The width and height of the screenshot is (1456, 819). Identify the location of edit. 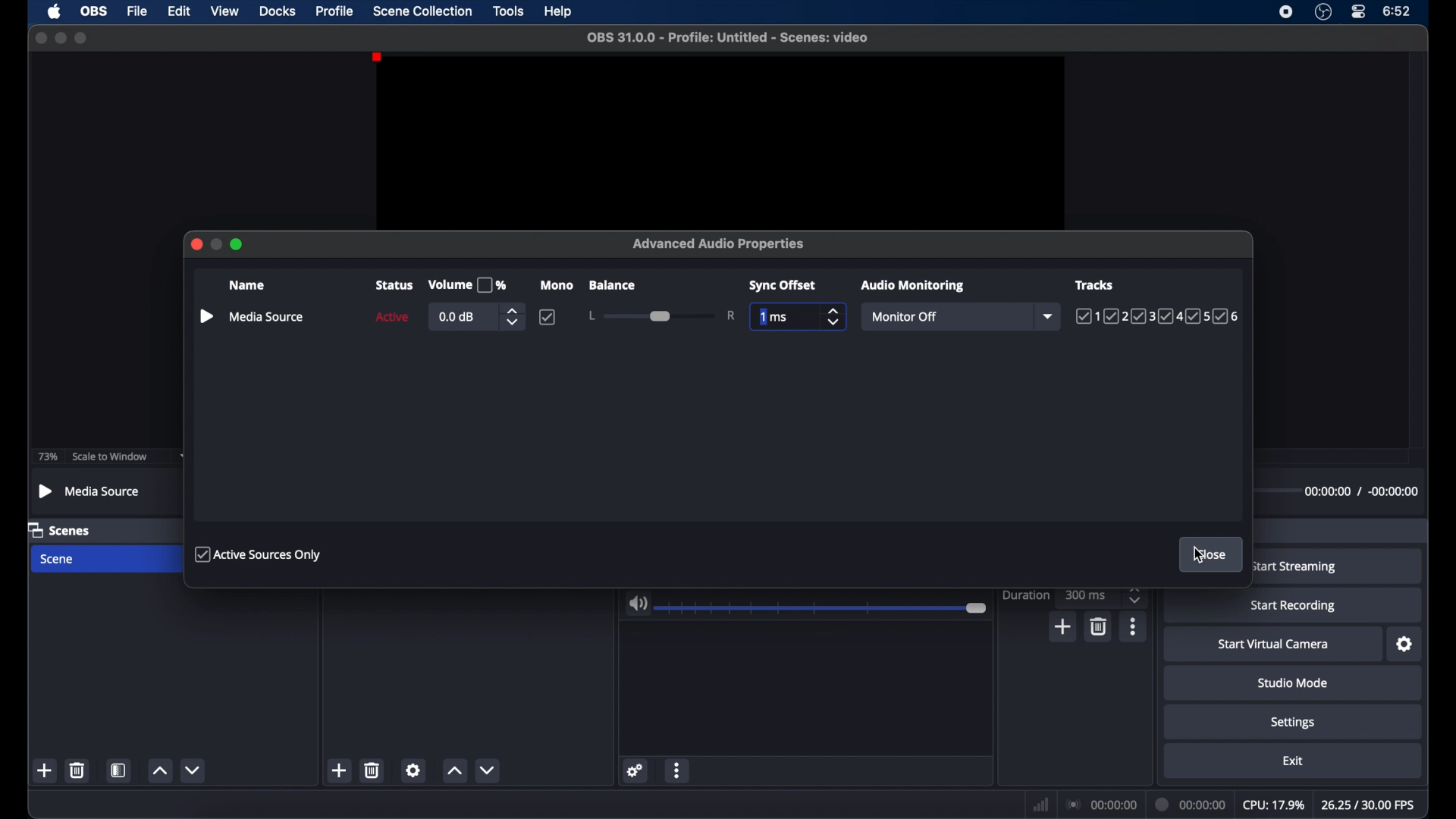
(179, 11).